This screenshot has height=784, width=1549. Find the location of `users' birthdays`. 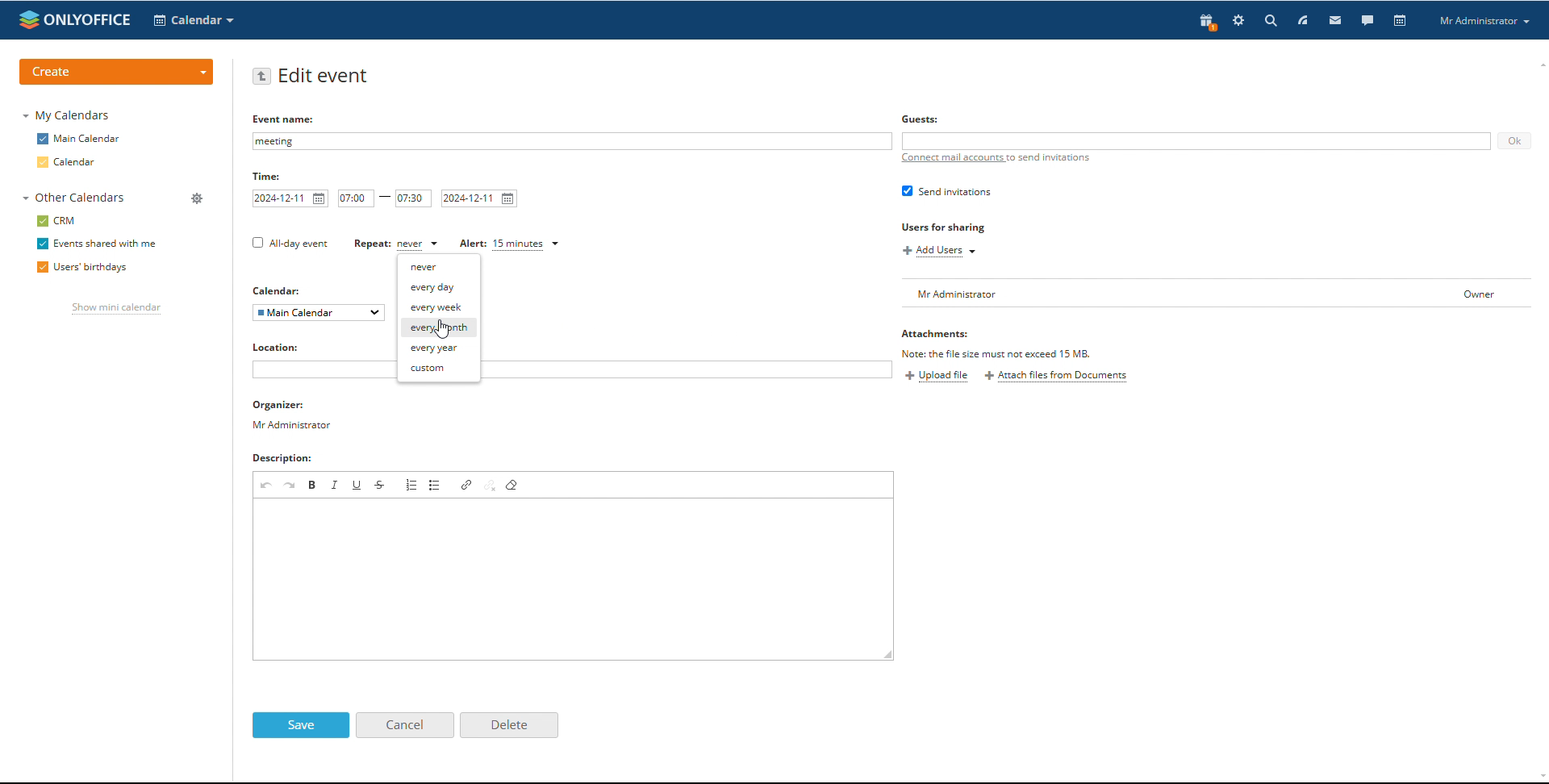

users' birthdays is located at coordinates (80, 269).